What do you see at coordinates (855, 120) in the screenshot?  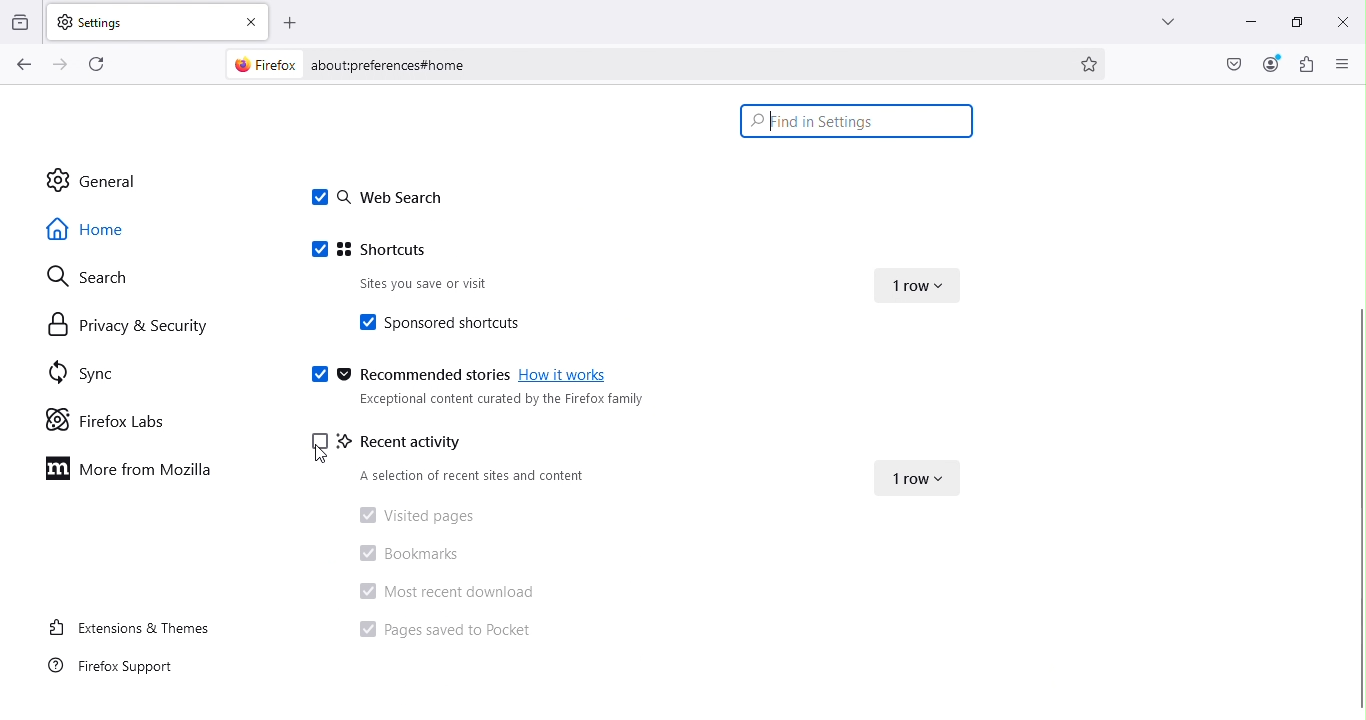 I see `Search bar` at bounding box center [855, 120].